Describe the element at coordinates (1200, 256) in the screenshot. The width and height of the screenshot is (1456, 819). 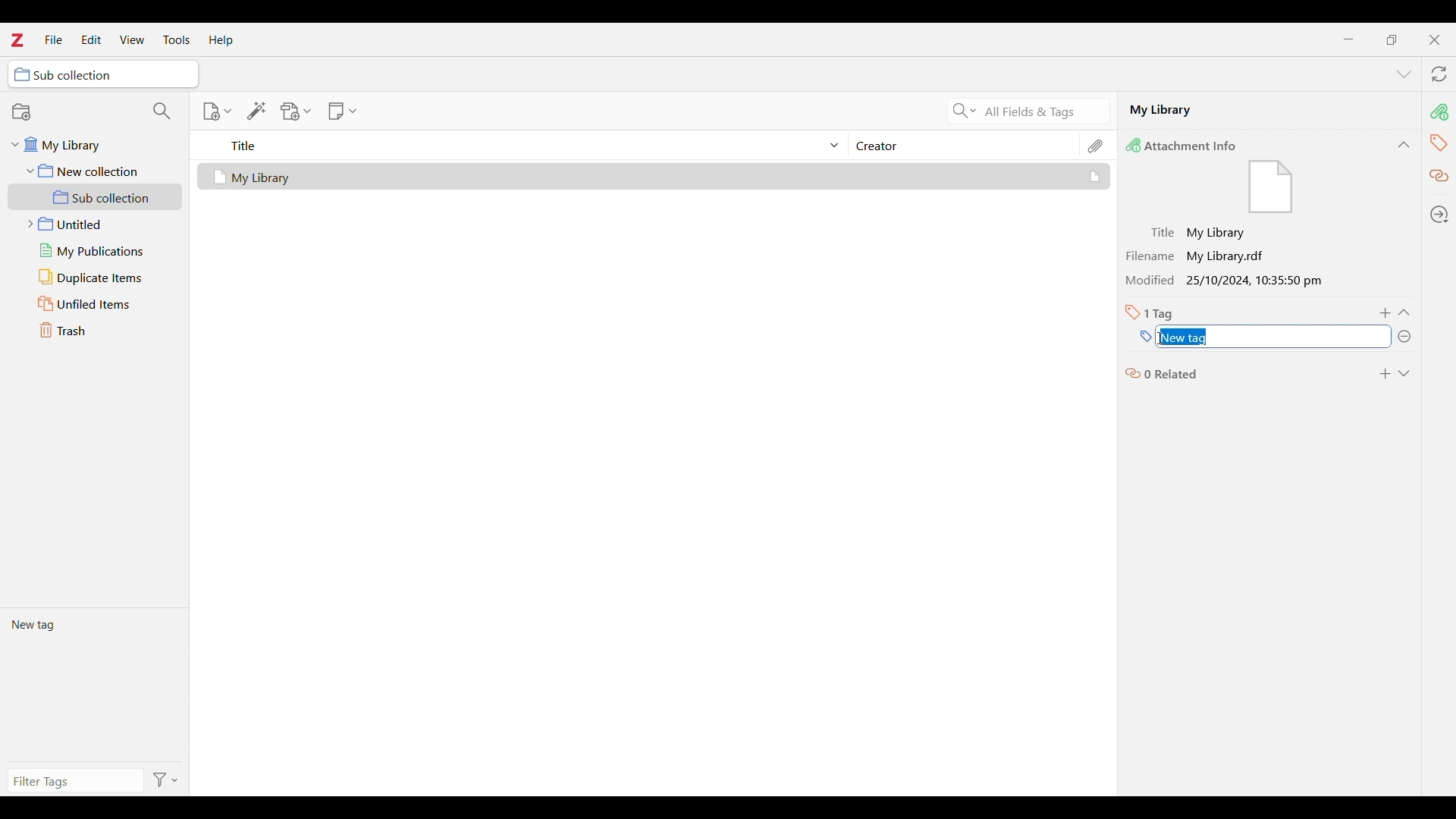
I see `Filename My Library.radt` at that location.